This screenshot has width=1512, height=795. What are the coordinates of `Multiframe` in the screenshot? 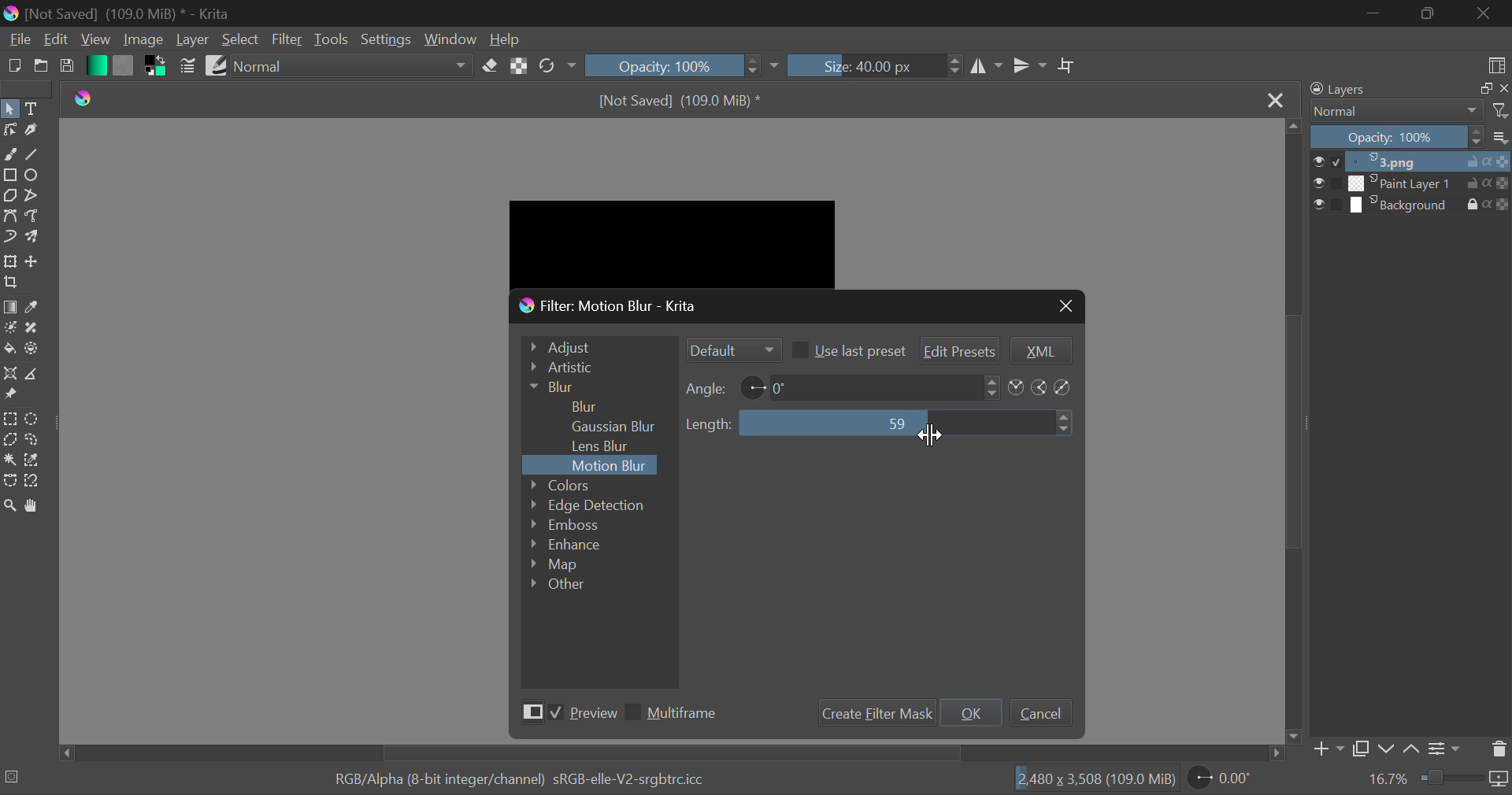 It's located at (676, 715).